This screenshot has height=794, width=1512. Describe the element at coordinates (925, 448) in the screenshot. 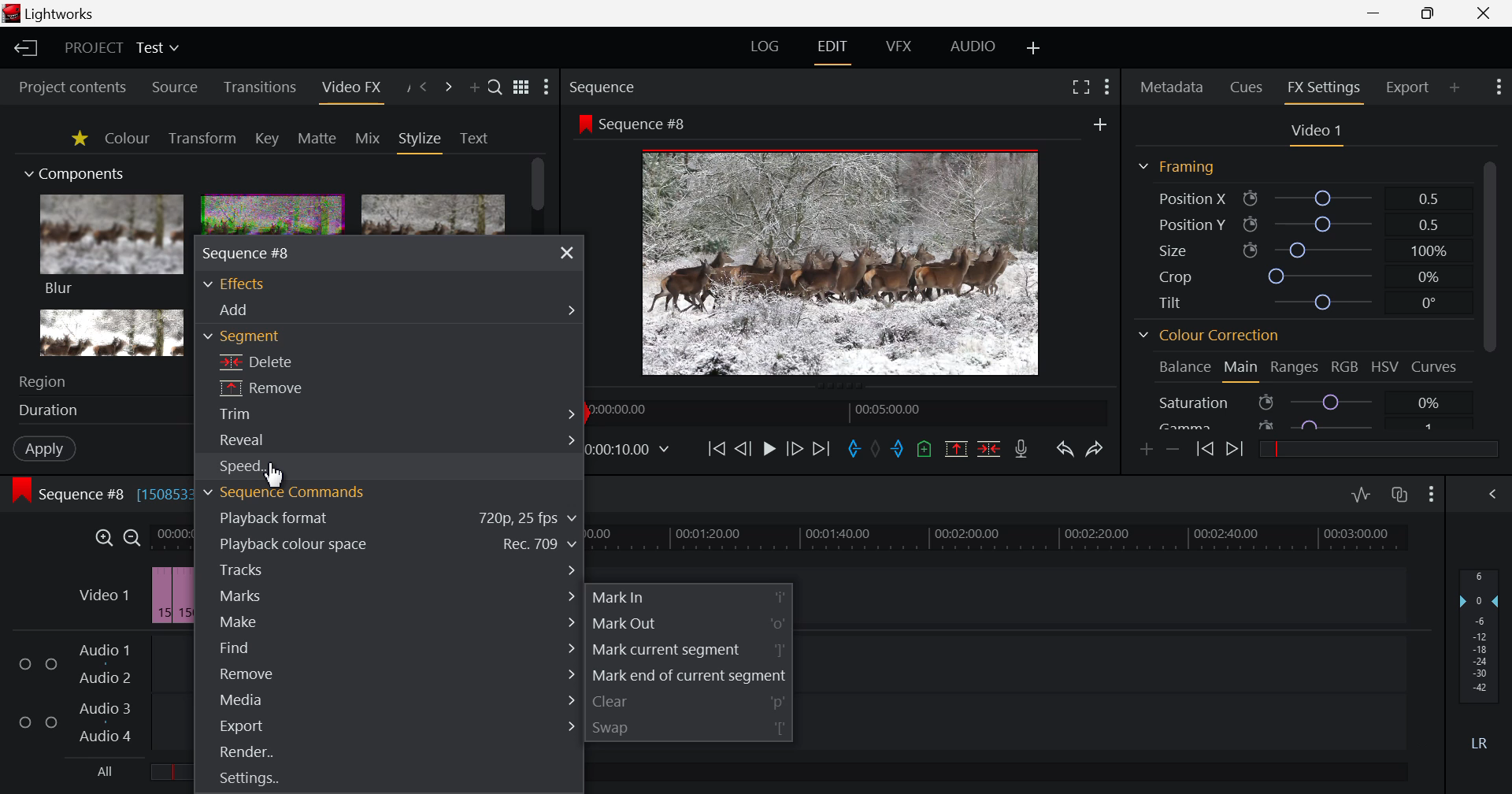

I see `Mark Cue` at that location.